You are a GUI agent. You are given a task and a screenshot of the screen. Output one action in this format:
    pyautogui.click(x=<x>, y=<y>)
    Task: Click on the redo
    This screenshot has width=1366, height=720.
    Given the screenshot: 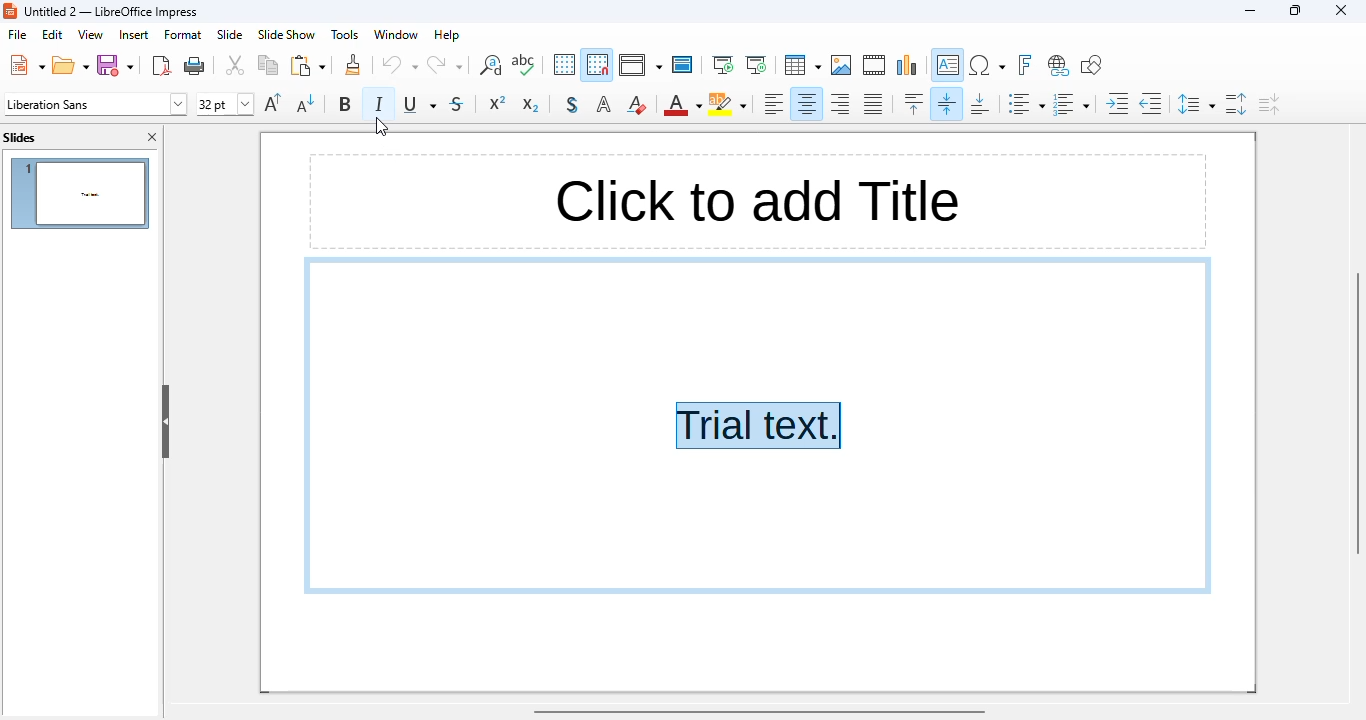 What is the action you would take?
    pyautogui.click(x=445, y=65)
    